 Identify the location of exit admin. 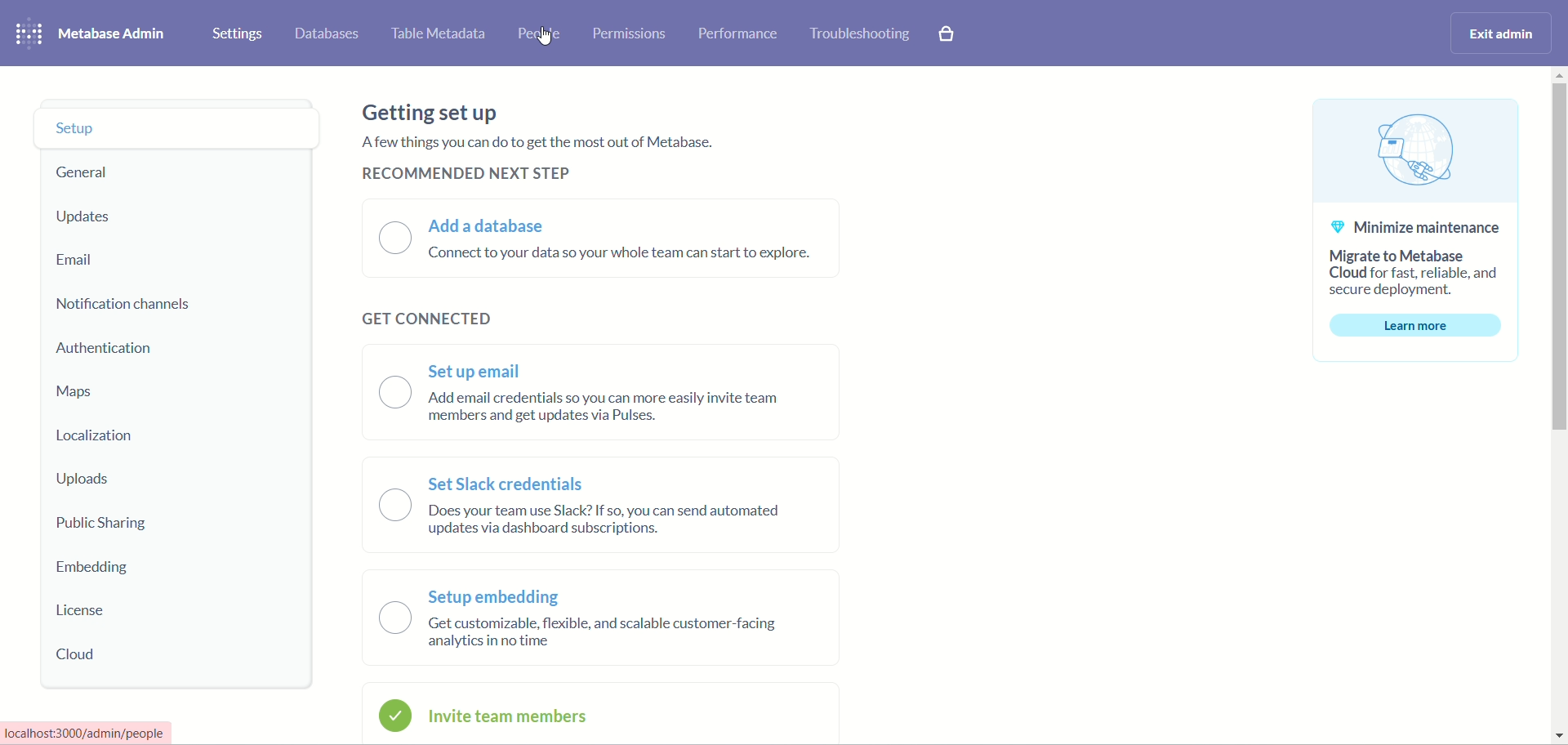
(1498, 33).